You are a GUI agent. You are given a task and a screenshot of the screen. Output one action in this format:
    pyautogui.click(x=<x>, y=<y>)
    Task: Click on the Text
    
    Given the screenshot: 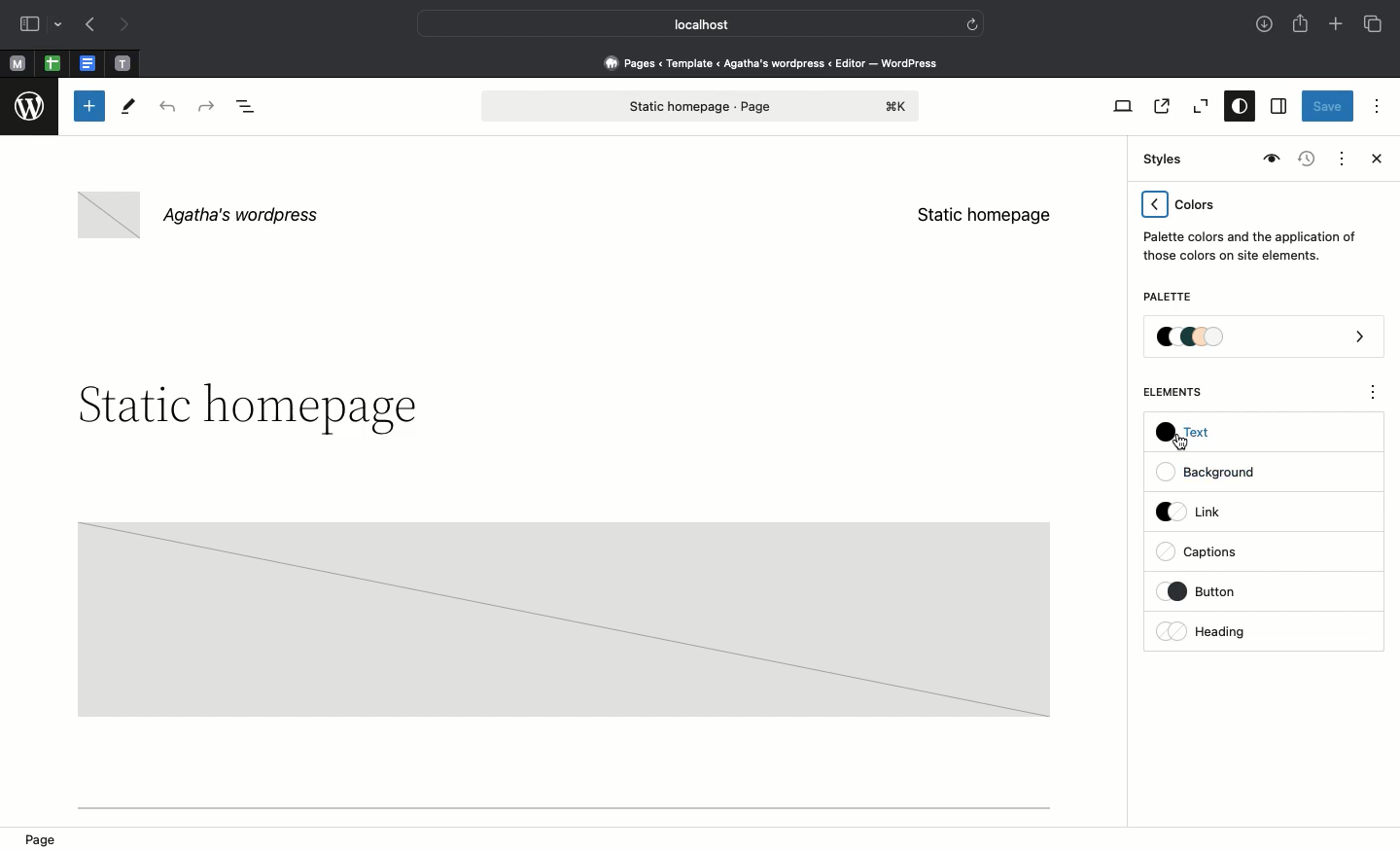 What is the action you would take?
    pyautogui.click(x=1191, y=437)
    